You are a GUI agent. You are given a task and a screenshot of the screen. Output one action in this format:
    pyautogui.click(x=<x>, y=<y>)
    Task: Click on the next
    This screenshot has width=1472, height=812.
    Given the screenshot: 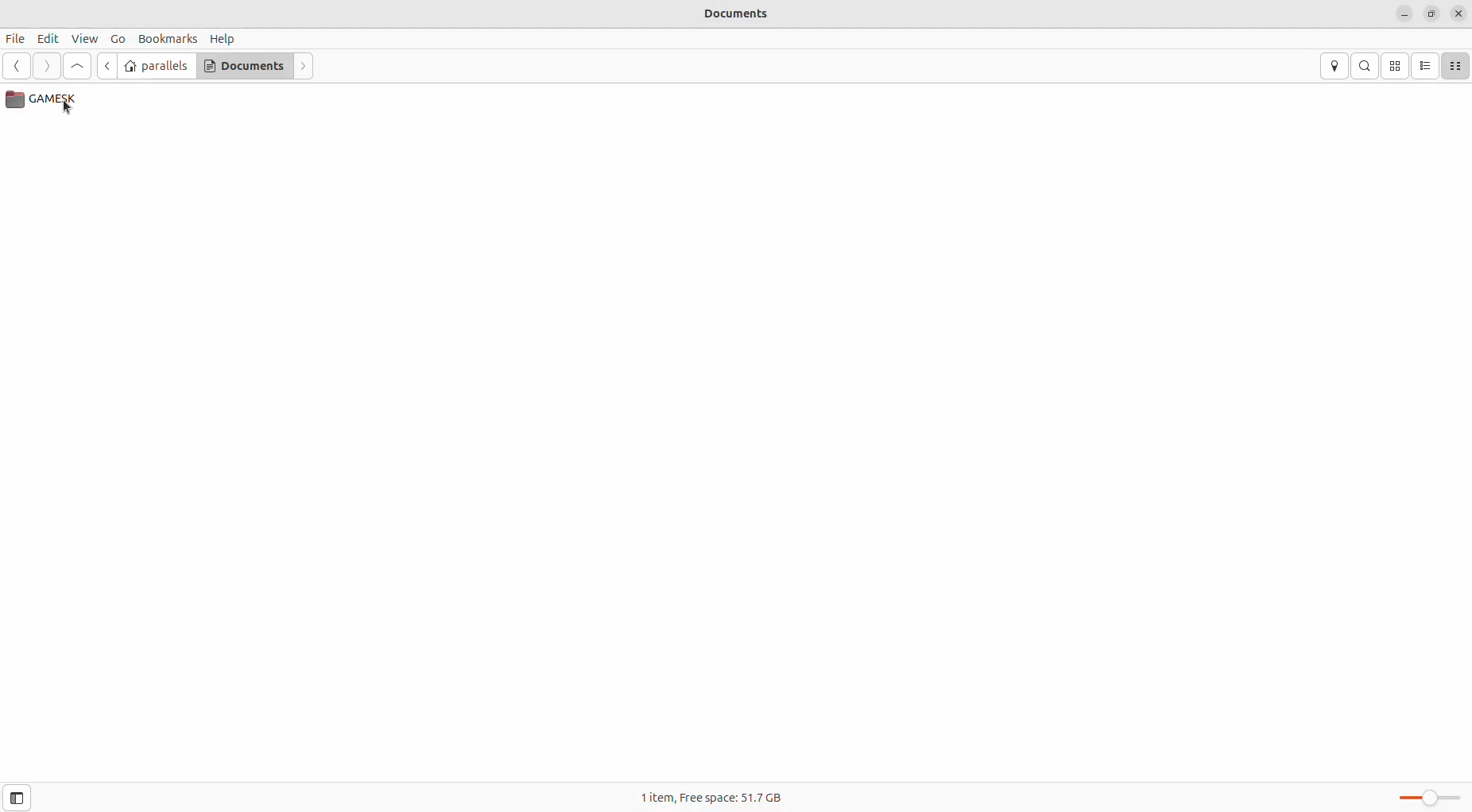 What is the action you would take?
    pyautogui.click(x=305, y=67)
    